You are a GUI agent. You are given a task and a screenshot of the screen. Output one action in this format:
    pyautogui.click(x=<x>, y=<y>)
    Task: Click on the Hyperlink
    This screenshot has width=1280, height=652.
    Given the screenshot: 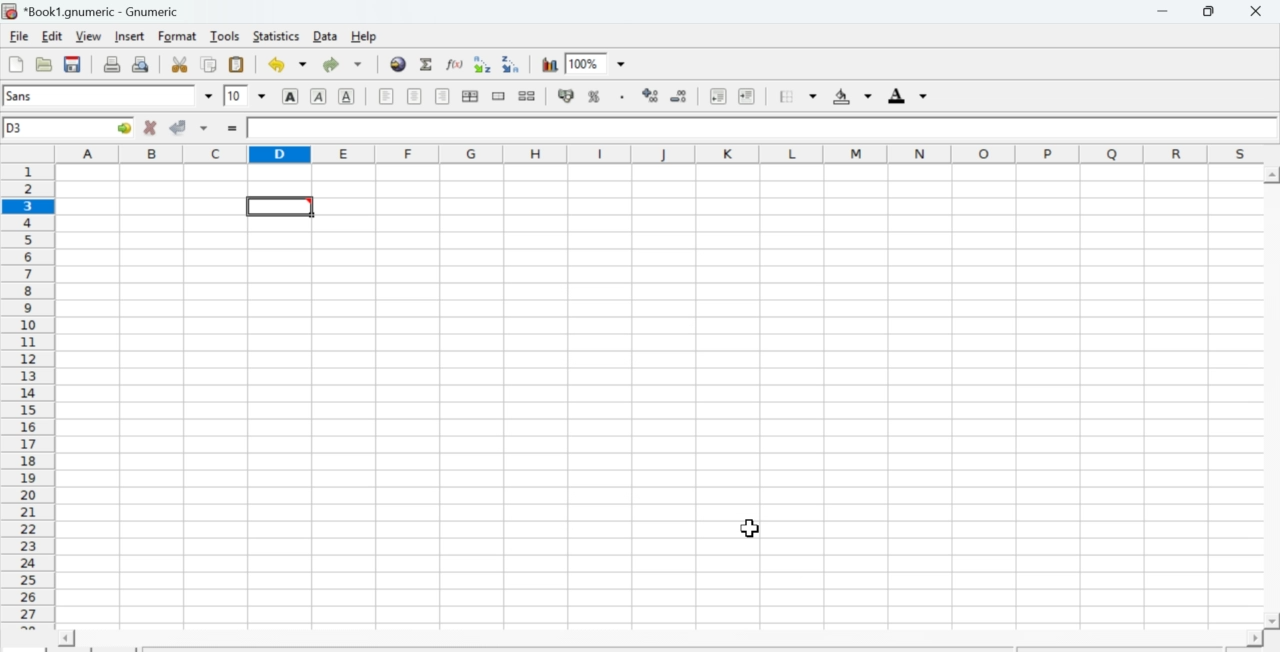 What is the action you would take?
    pyautogui.click(x=398, y=65)
    